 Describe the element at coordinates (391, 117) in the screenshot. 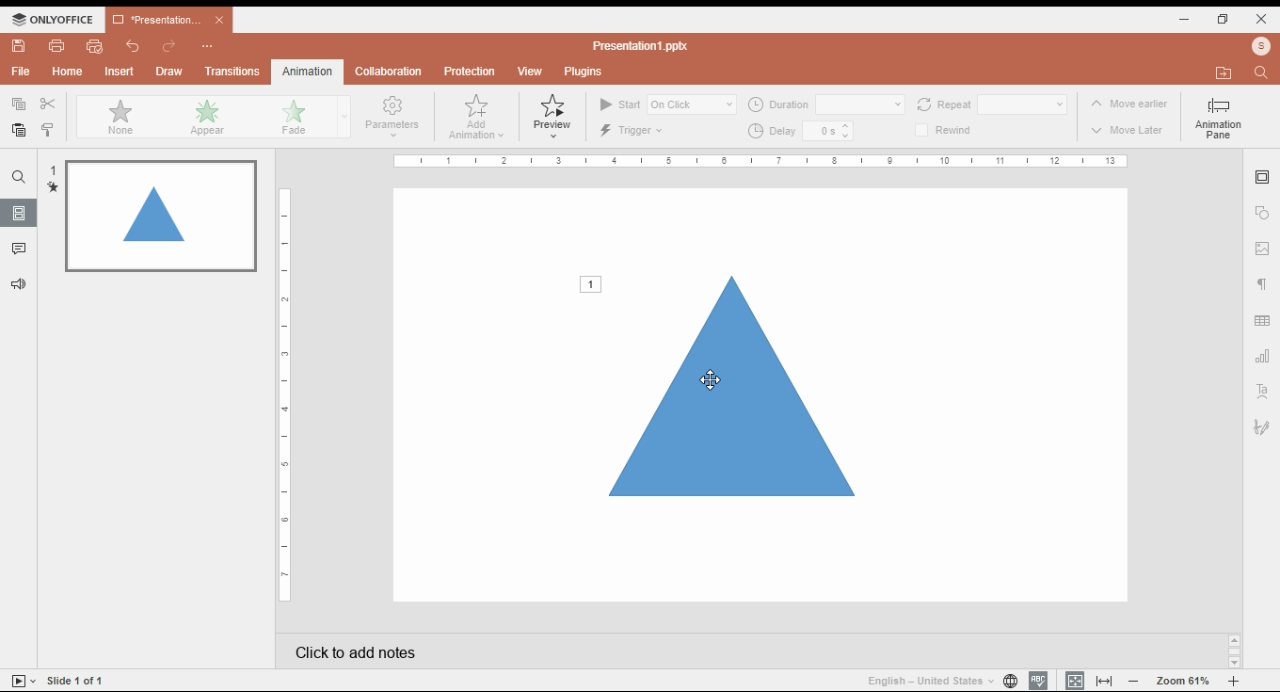

I see `parameters` at that location.